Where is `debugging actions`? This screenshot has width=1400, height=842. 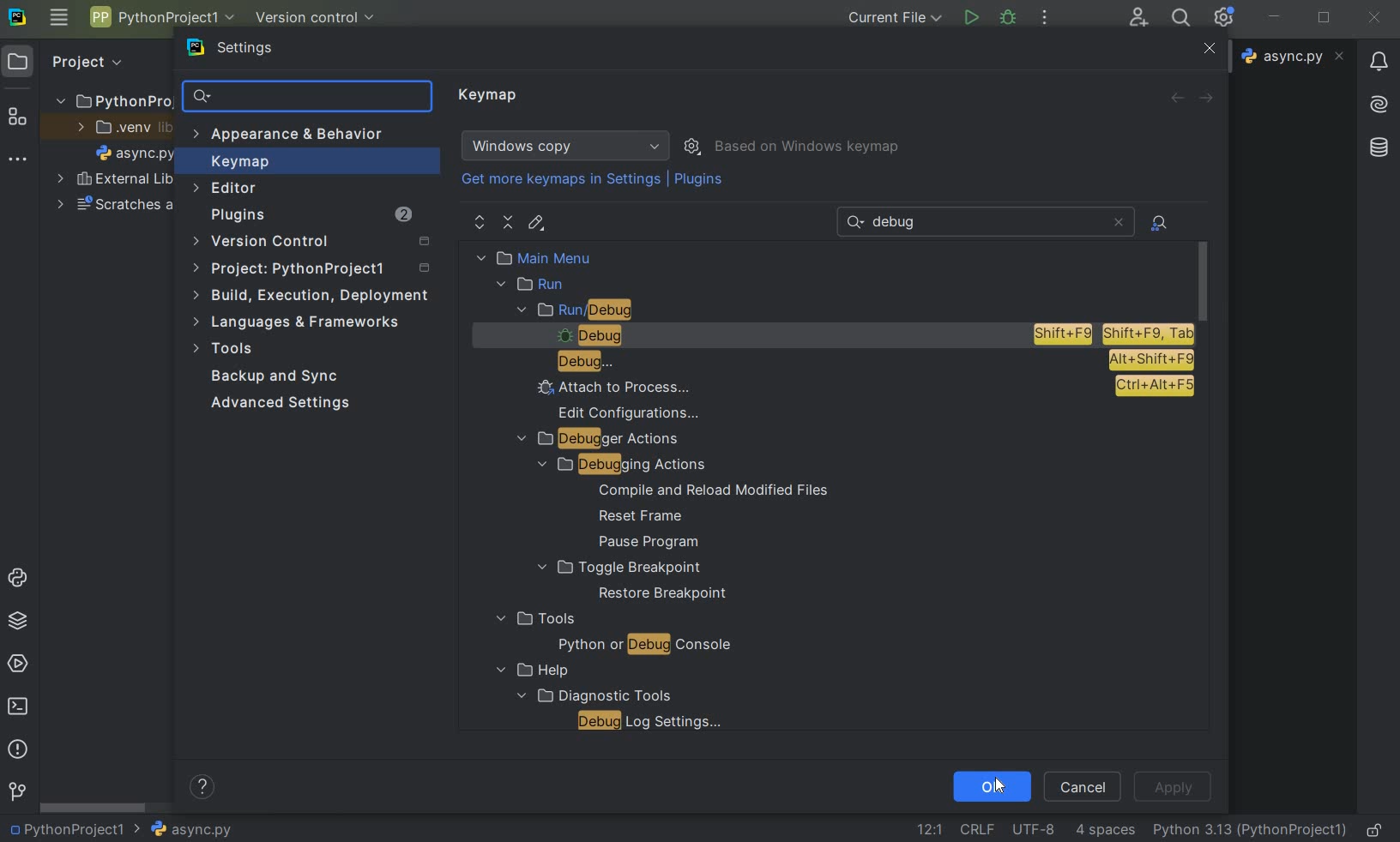
debugging actions is located at coordinates (614, 465).